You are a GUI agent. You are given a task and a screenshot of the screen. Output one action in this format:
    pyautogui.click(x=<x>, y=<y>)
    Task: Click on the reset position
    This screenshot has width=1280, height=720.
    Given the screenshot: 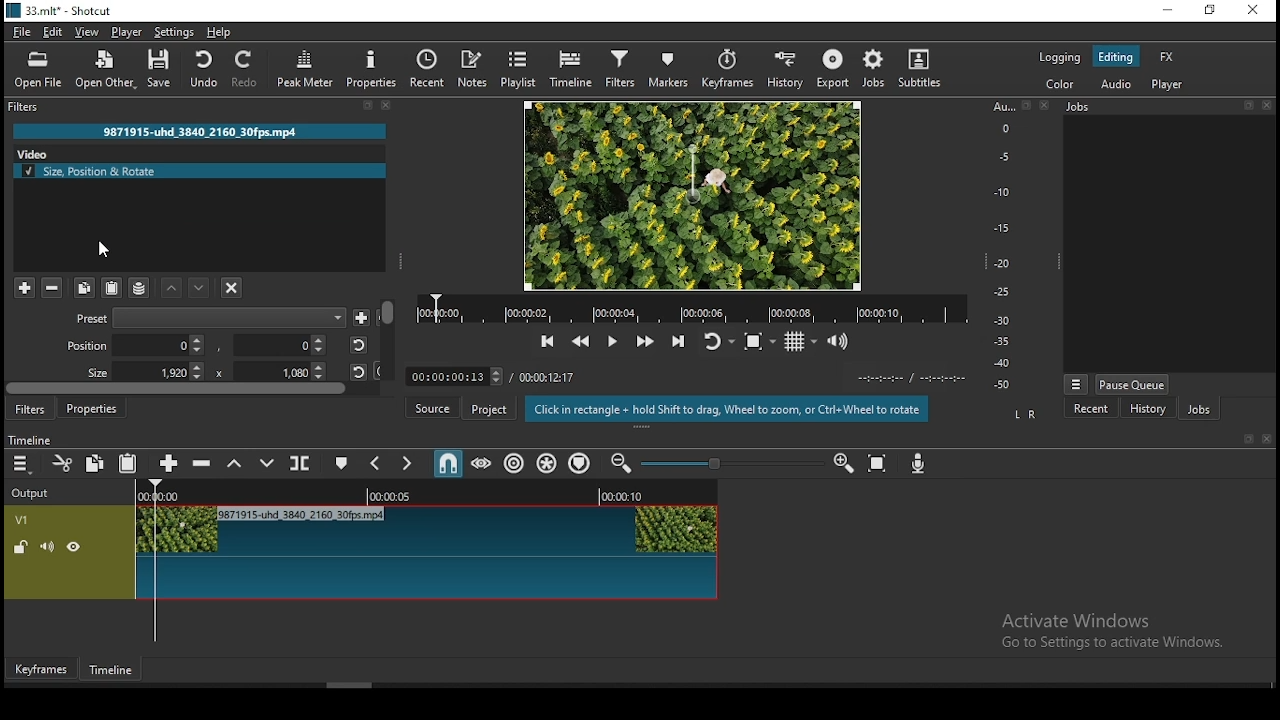 What is the action you would take?
    pyautogui.click(x=360, y=372)
    